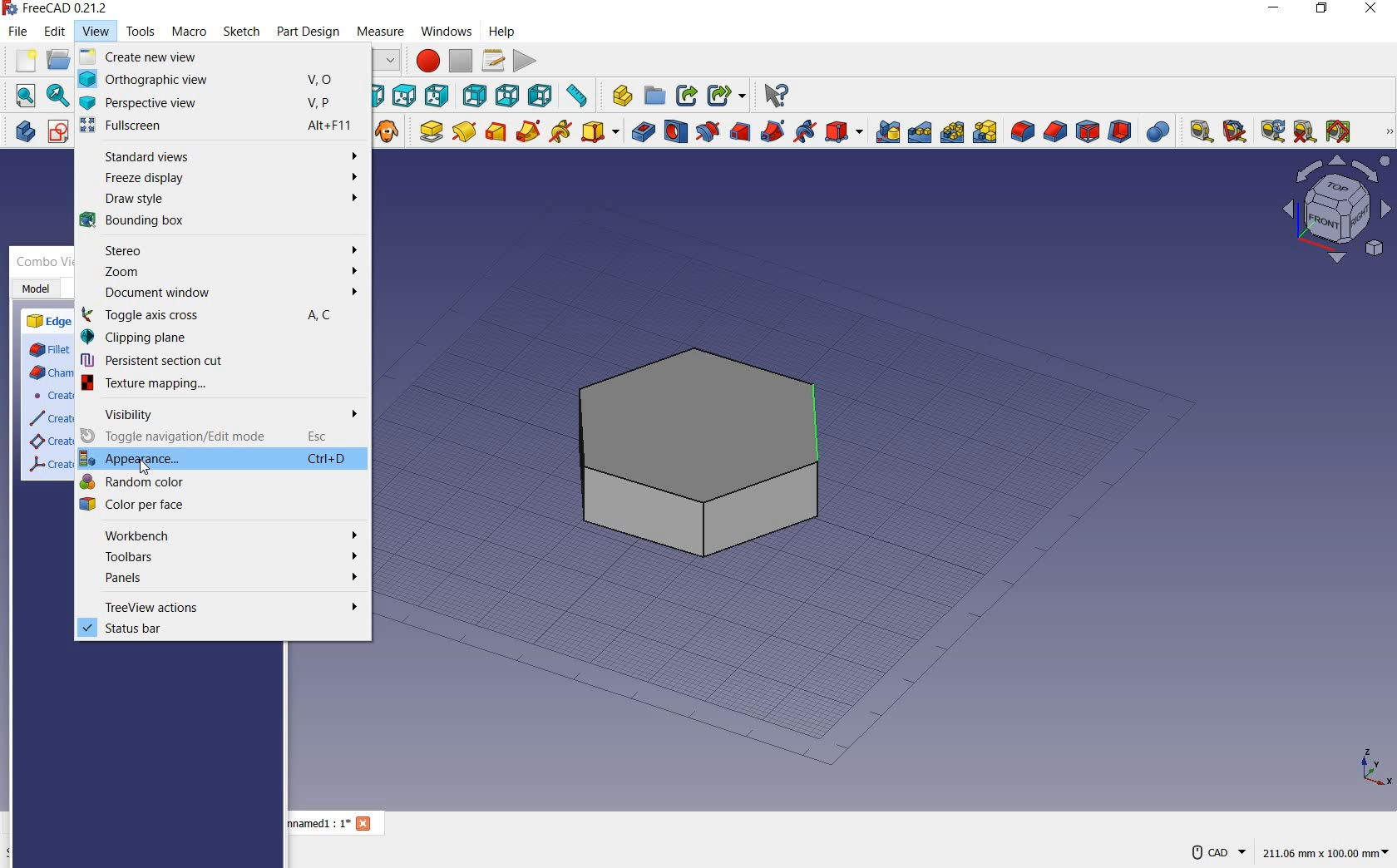 This screenshot has height=868, width=1397. I want to click on create sketch, so click(57, 132).